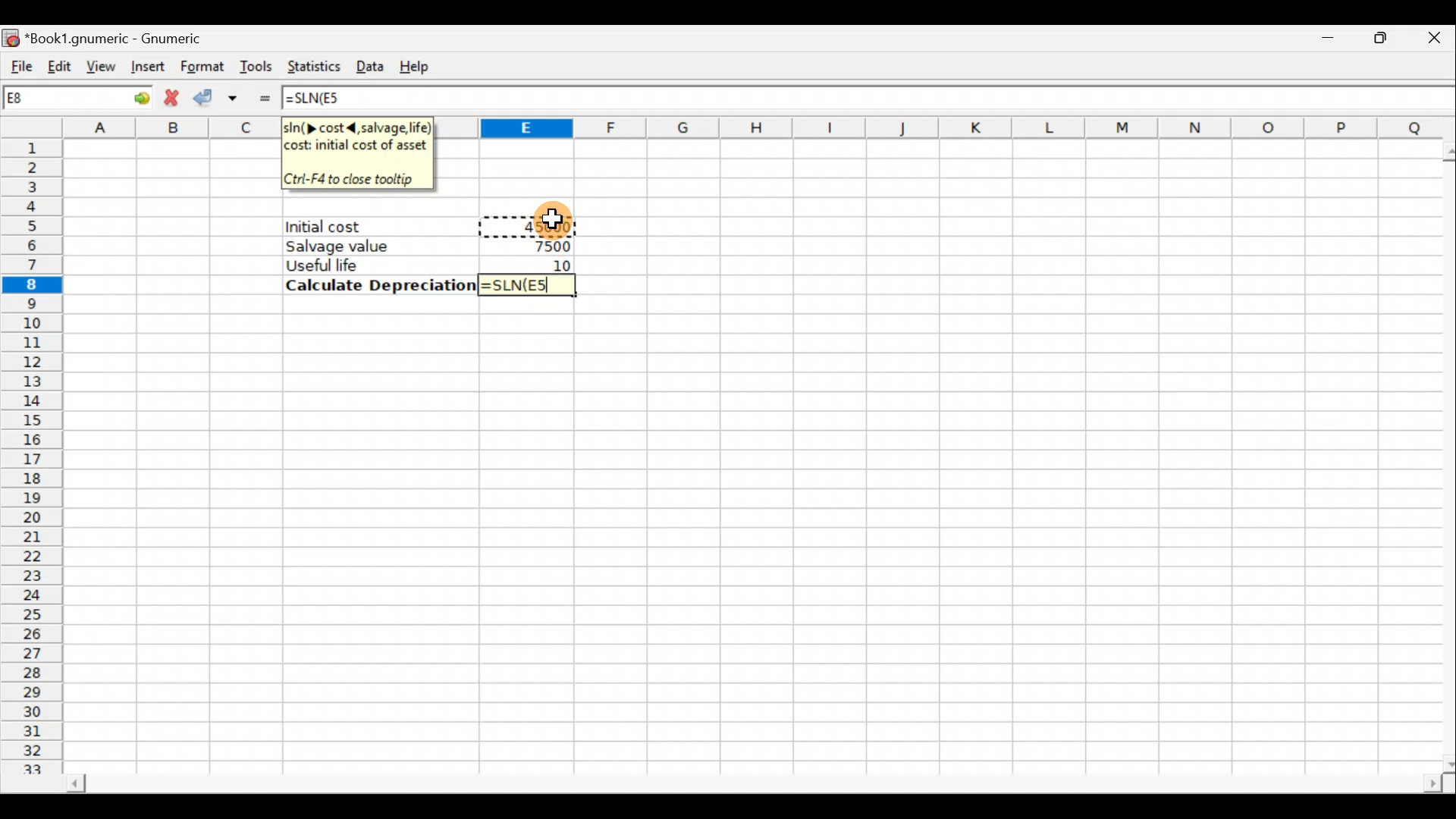 This screenshot has width=1456, height=819. I want to click on 45000, so click(543, 224).